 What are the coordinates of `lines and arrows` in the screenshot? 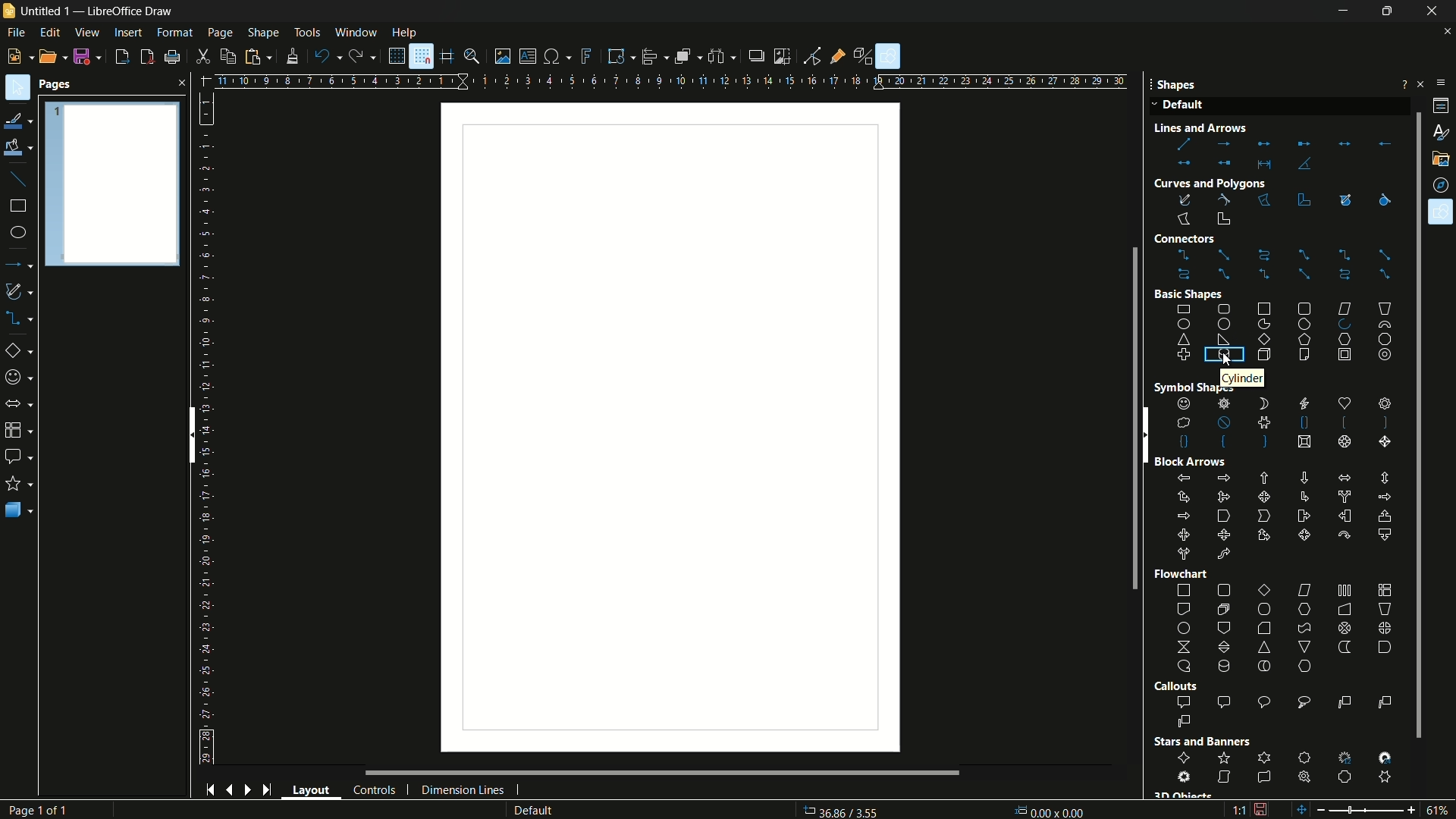 It's located at (1281, 153).